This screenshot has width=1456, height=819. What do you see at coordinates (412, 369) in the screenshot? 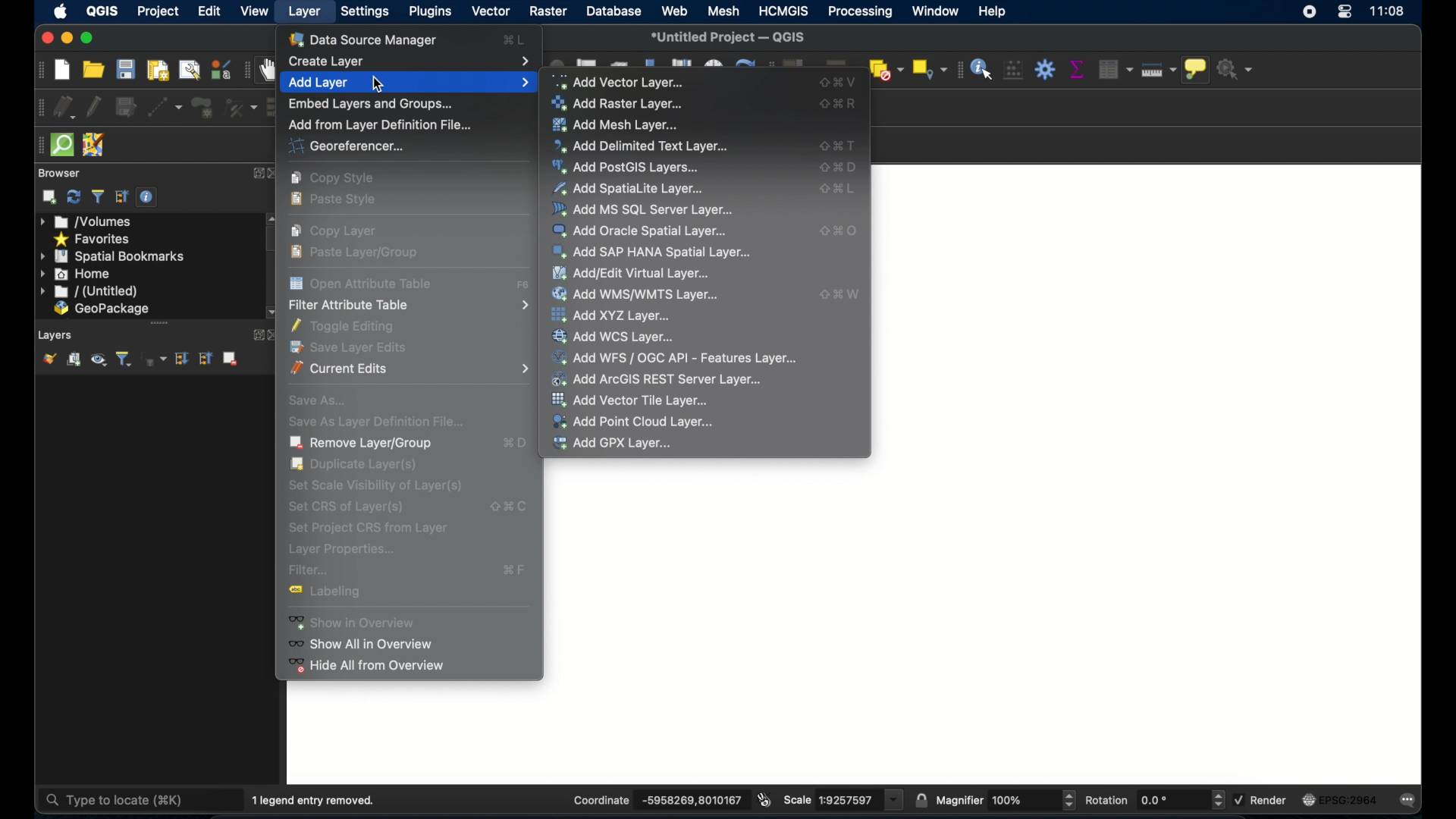
I see `current edits menu` at bounding box center [412, 369].